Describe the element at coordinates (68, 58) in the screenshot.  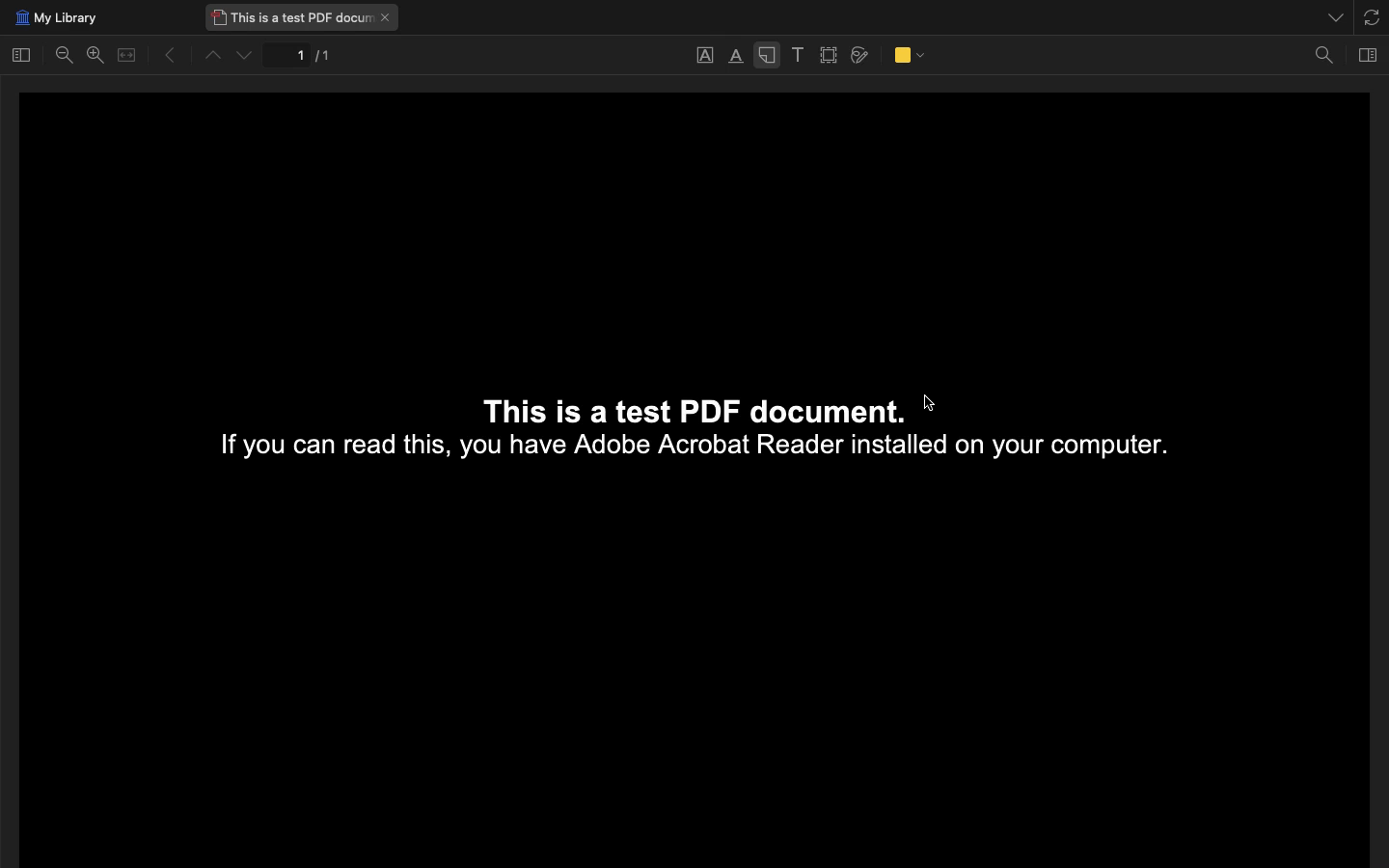
I see `Zoom out` at that location.